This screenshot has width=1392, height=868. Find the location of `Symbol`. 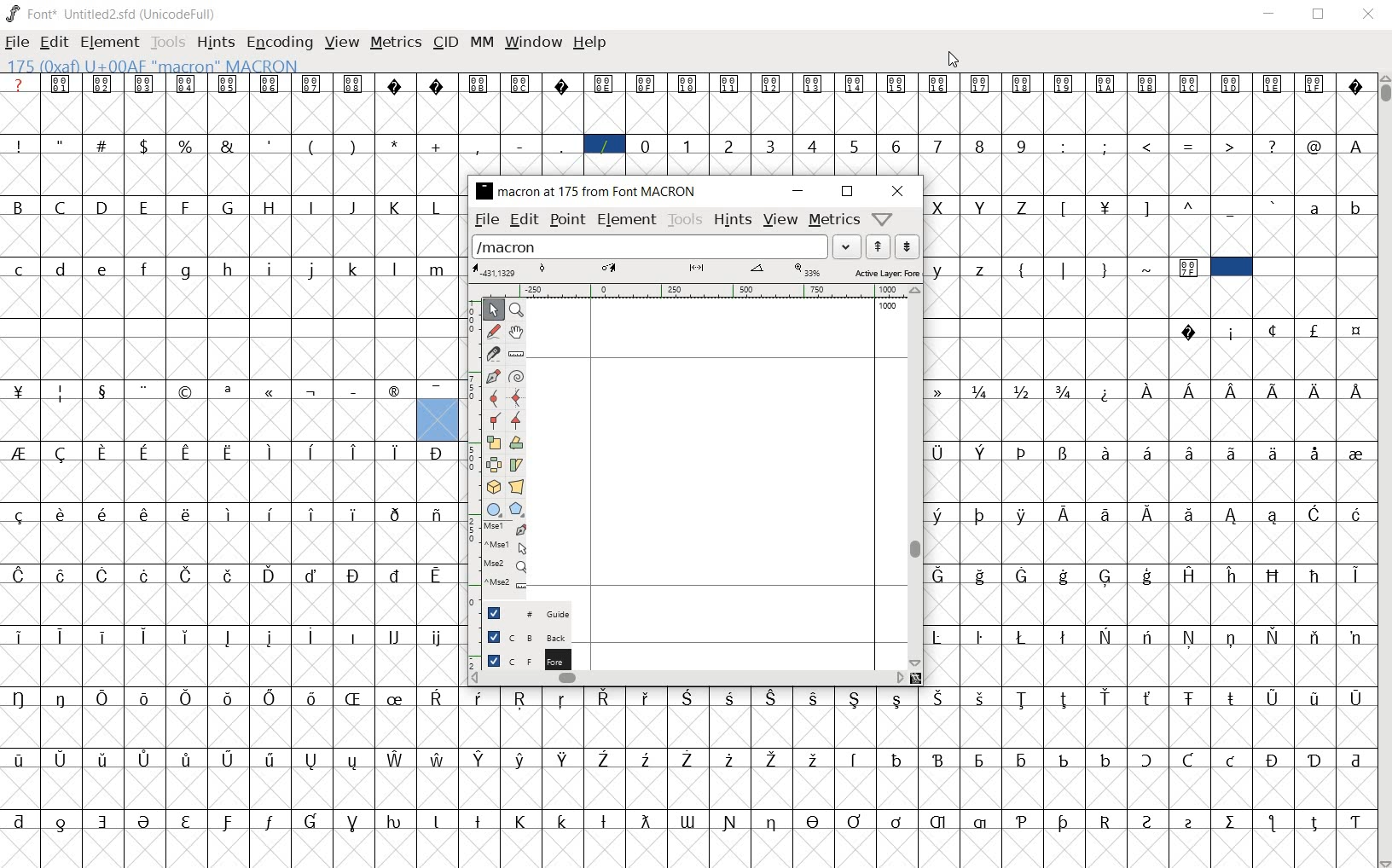

Symbol is located at coordinates (396, 821).